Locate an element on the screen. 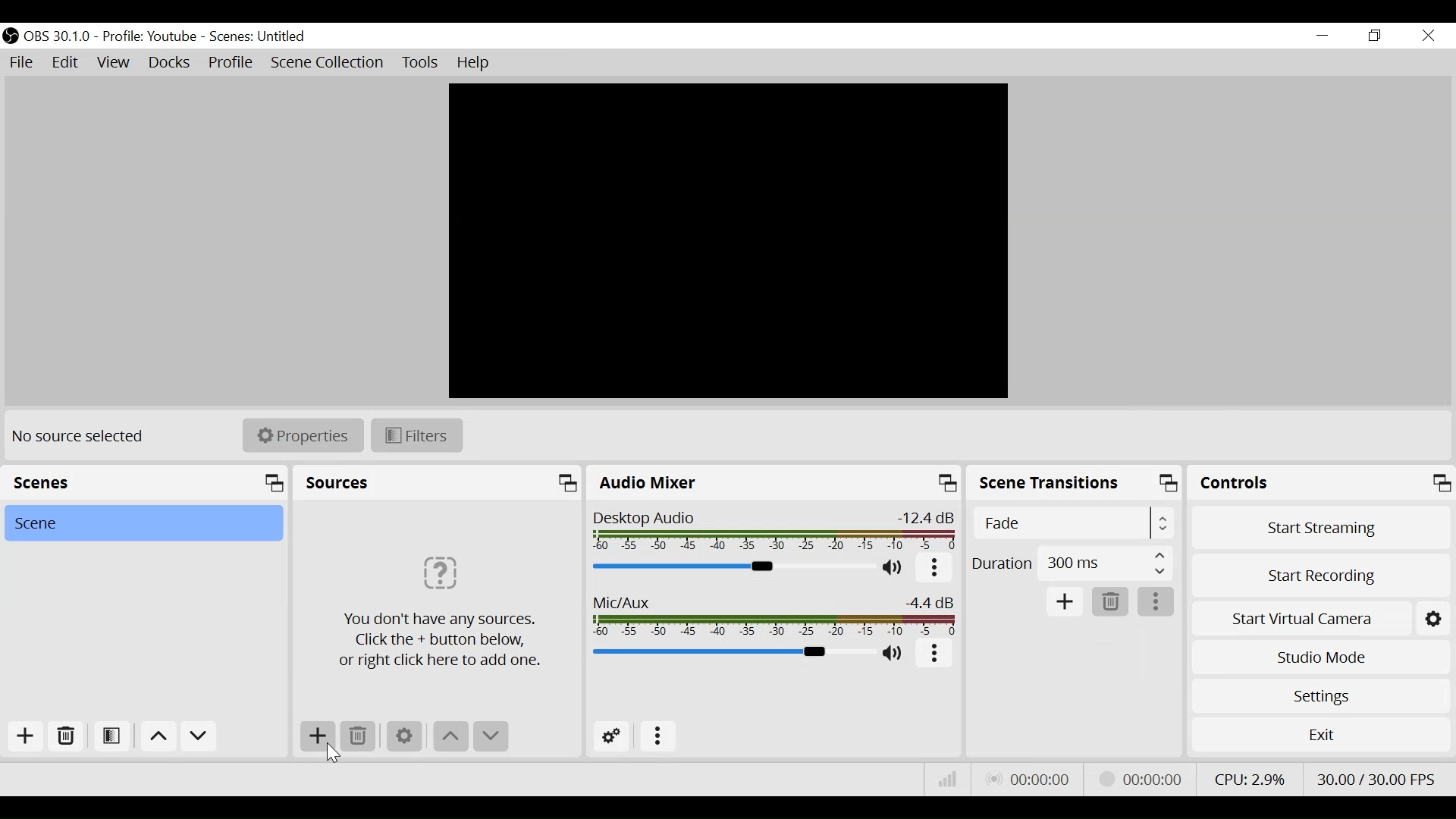 The width and height of the screenshot is (1456, 819). Desktop Audio Slider is located at coordinates (733, 568).